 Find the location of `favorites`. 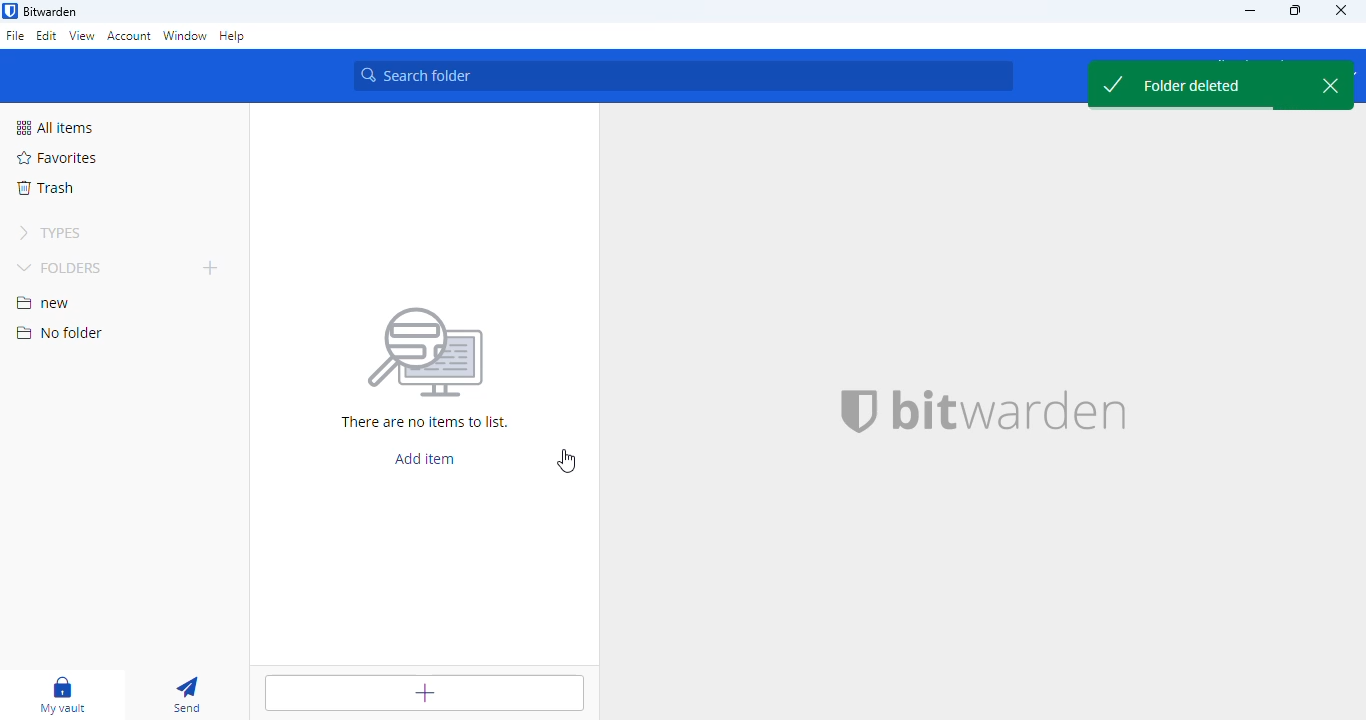

favorites is located at coordinates (58, 158).